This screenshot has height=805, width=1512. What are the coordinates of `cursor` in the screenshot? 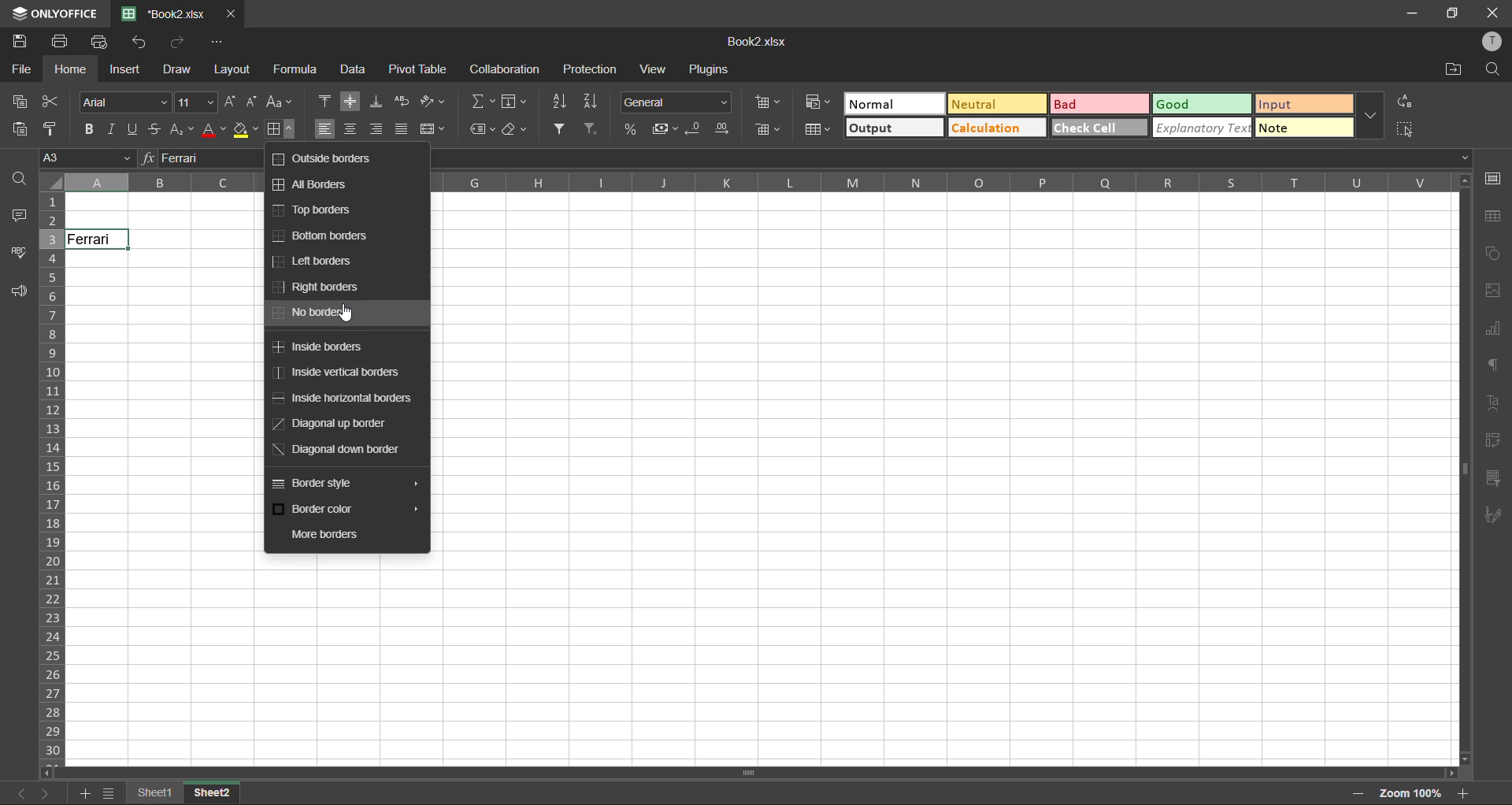 It's located at (346, 317).